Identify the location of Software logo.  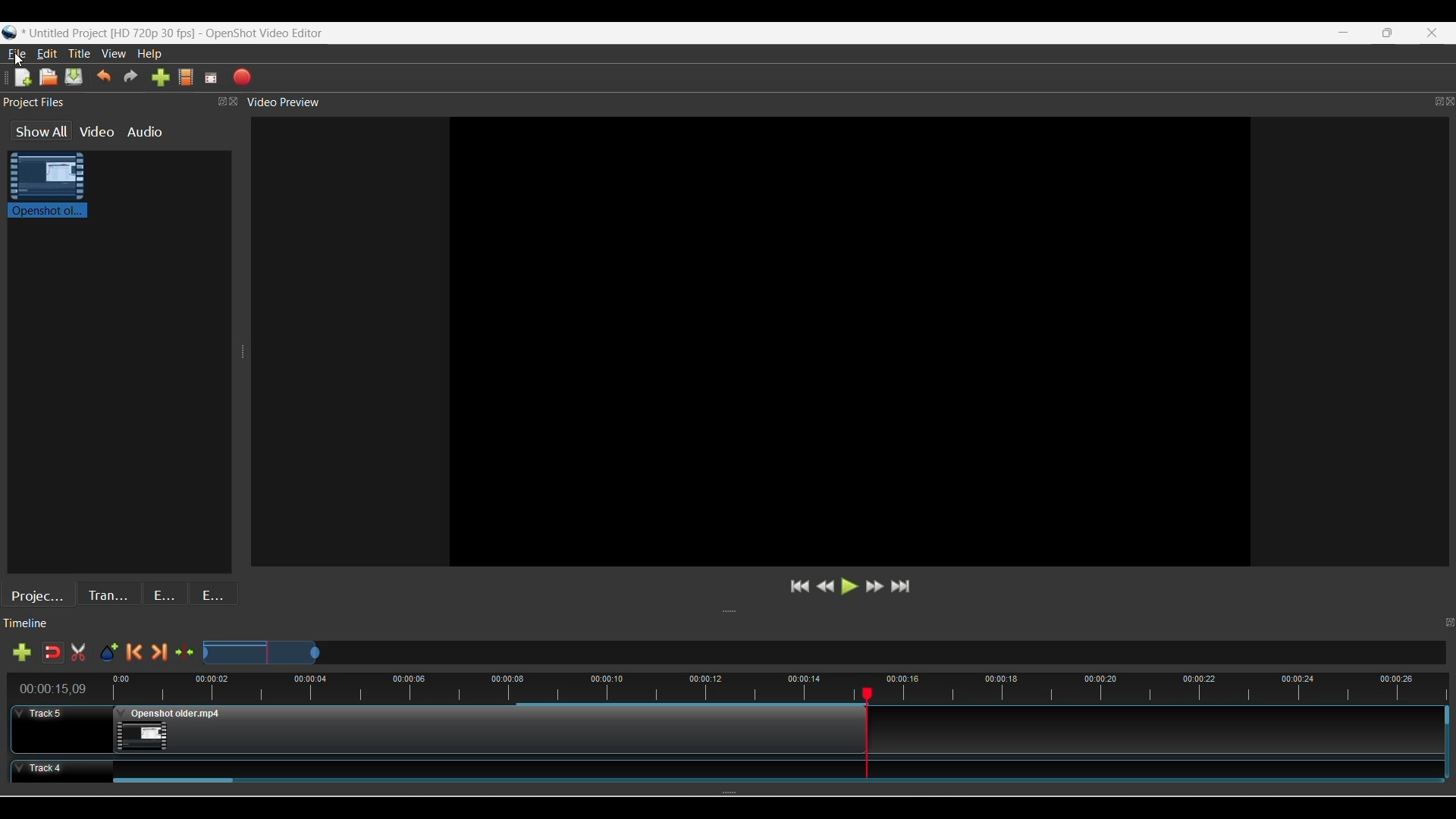
(10, 33).